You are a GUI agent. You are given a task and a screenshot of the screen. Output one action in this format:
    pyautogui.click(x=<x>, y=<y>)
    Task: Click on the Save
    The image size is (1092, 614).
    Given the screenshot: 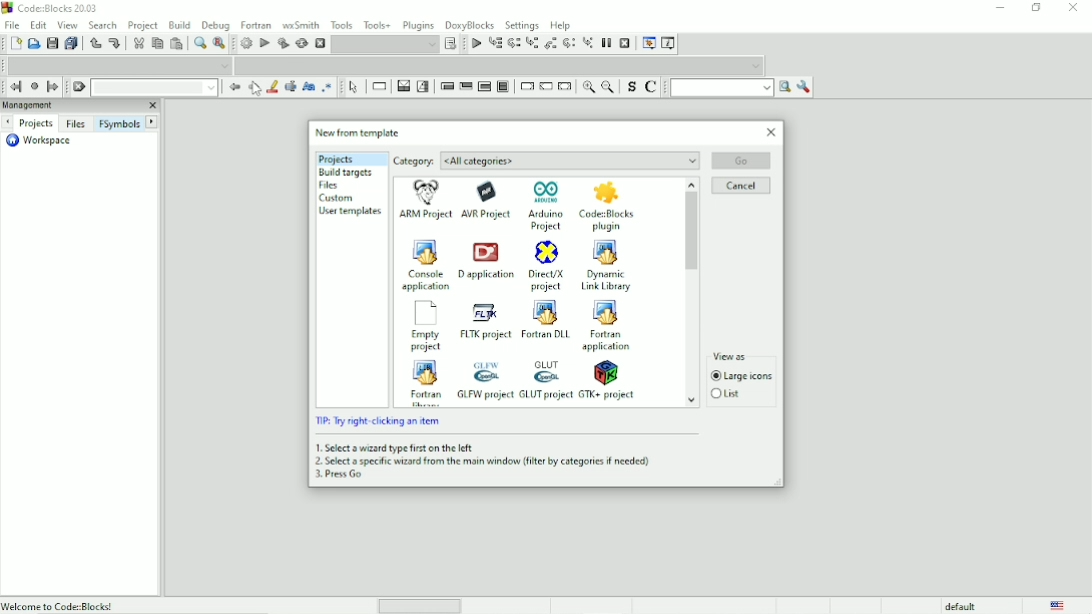 What is the action you would take?
    pyautogui.click(x=51, y=43)
    